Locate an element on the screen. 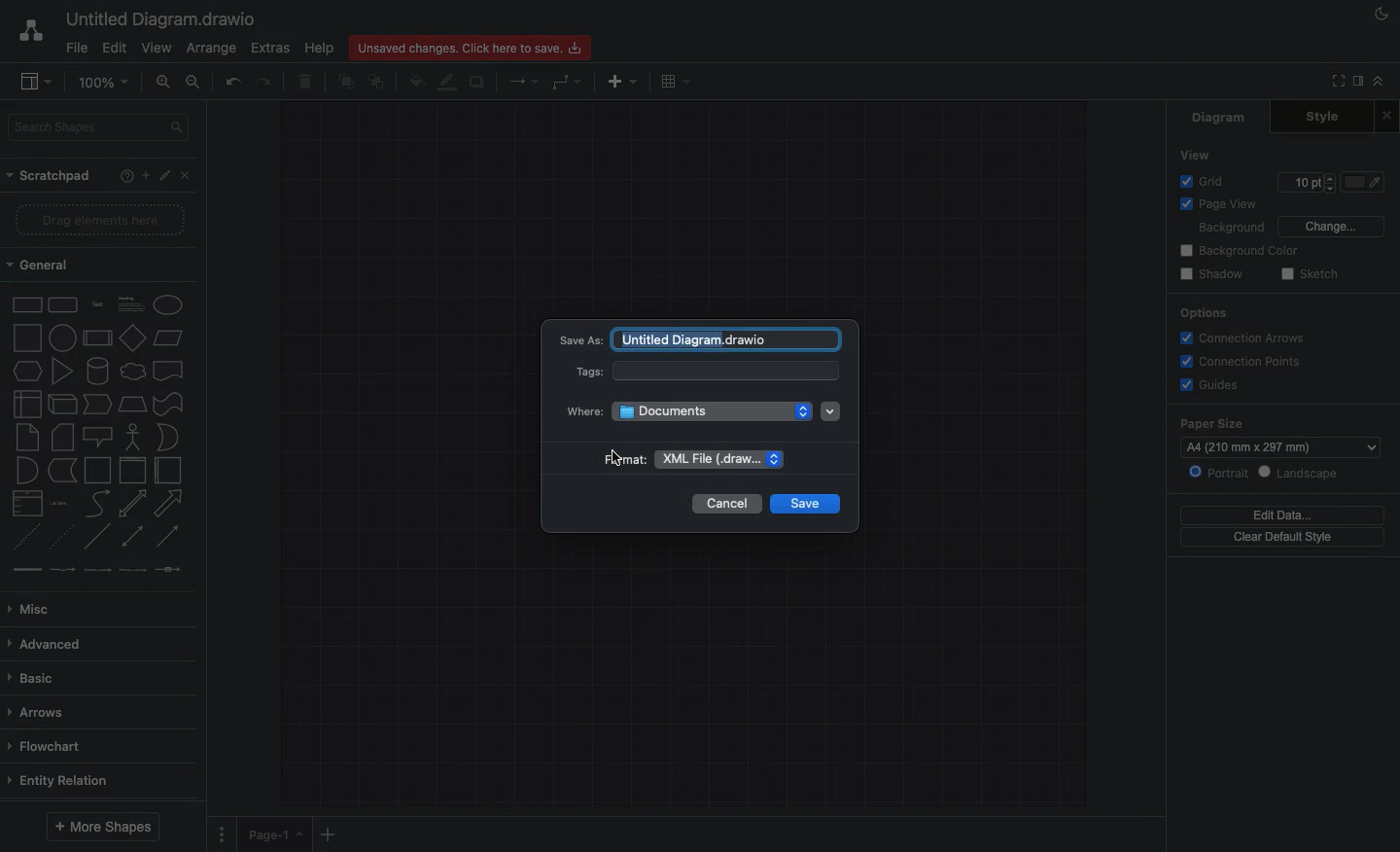  To front is located at coordinates (344, 85).